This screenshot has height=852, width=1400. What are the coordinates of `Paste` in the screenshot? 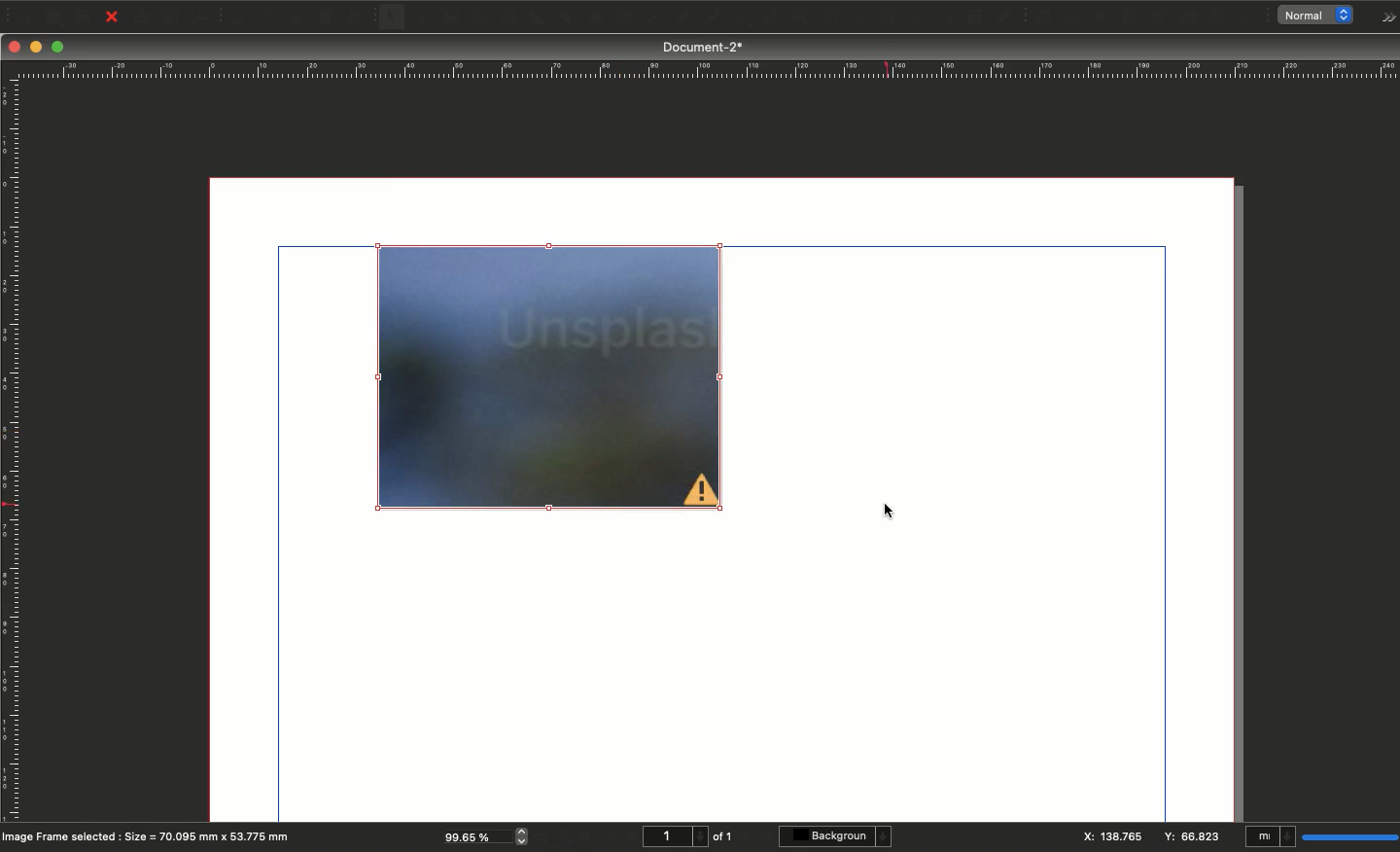 It's located at (361, 18).